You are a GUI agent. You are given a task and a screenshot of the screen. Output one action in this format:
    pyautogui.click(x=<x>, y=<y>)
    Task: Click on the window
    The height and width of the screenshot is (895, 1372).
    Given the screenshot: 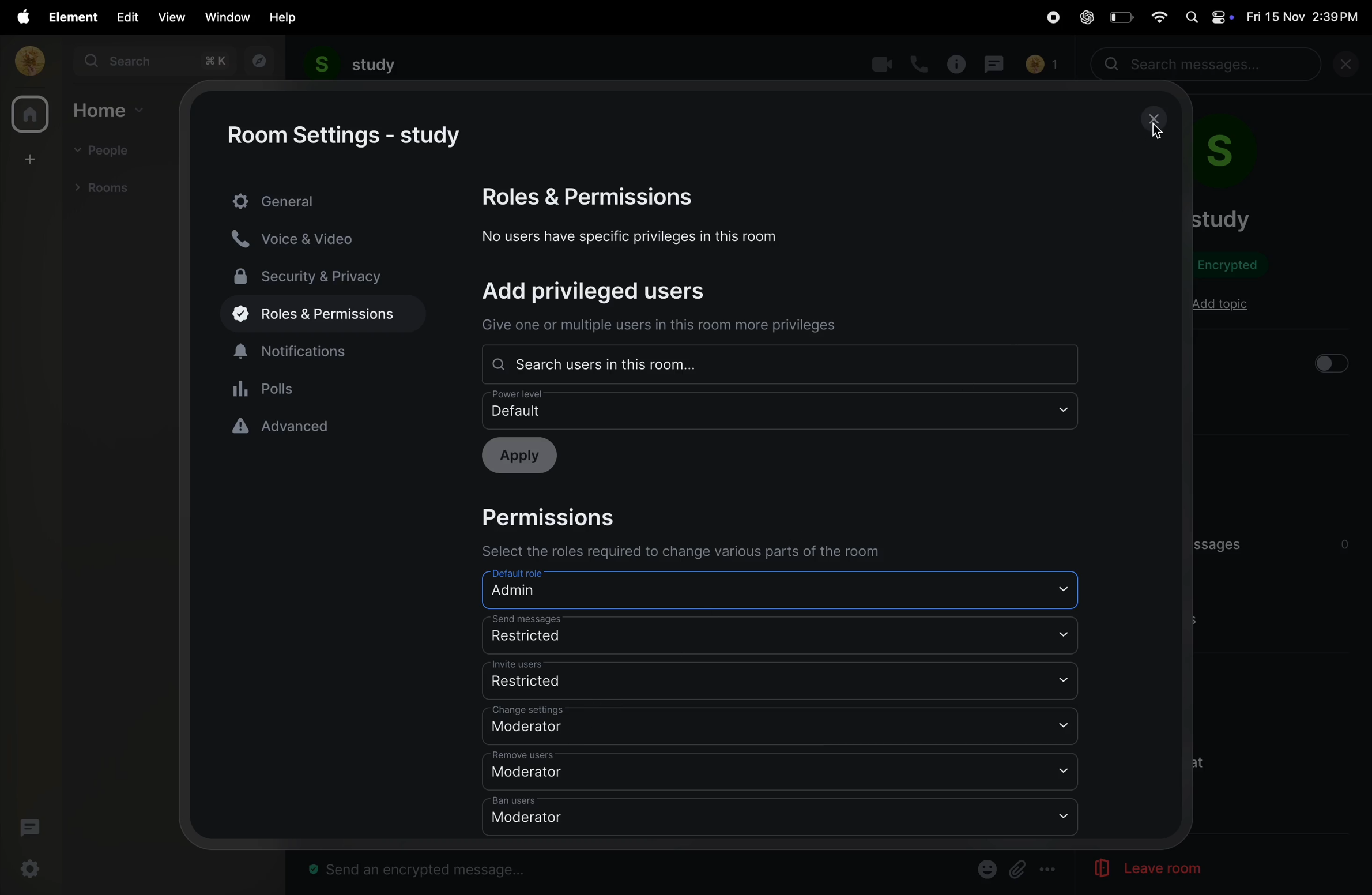 What is the action you would take?
    pyautogui.click(x=228, y=17)
    